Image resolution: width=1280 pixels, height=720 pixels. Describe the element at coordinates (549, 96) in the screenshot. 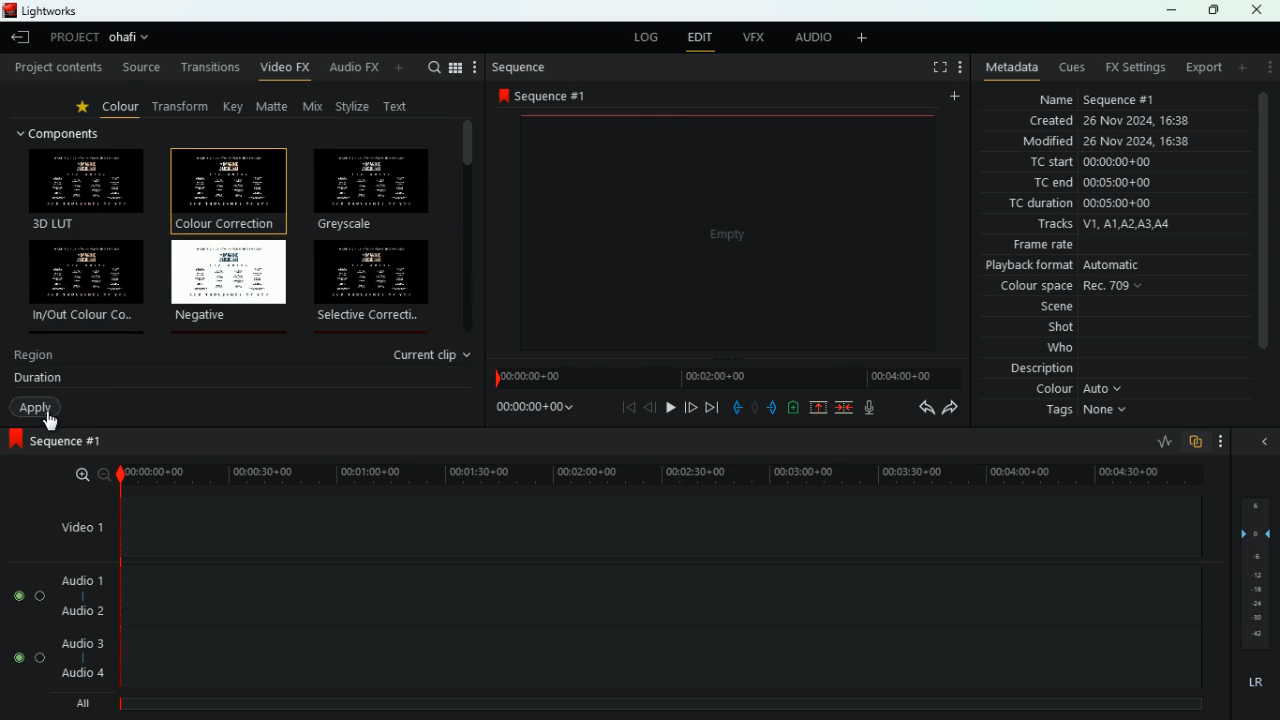

I see `sequence` at that location.